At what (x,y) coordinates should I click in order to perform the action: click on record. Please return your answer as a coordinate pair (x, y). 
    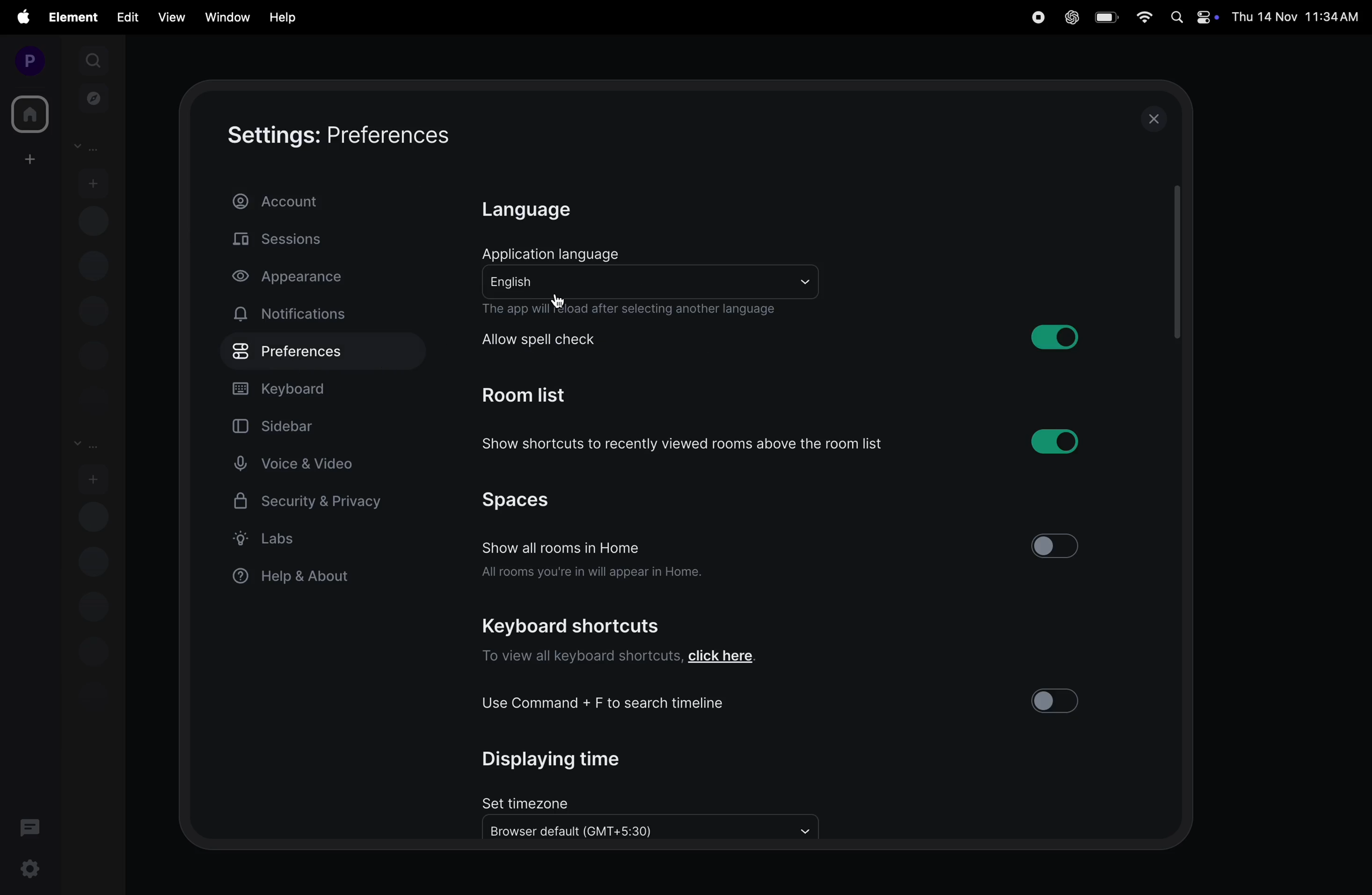
    Looking at the image, I should click on (1039, 17).